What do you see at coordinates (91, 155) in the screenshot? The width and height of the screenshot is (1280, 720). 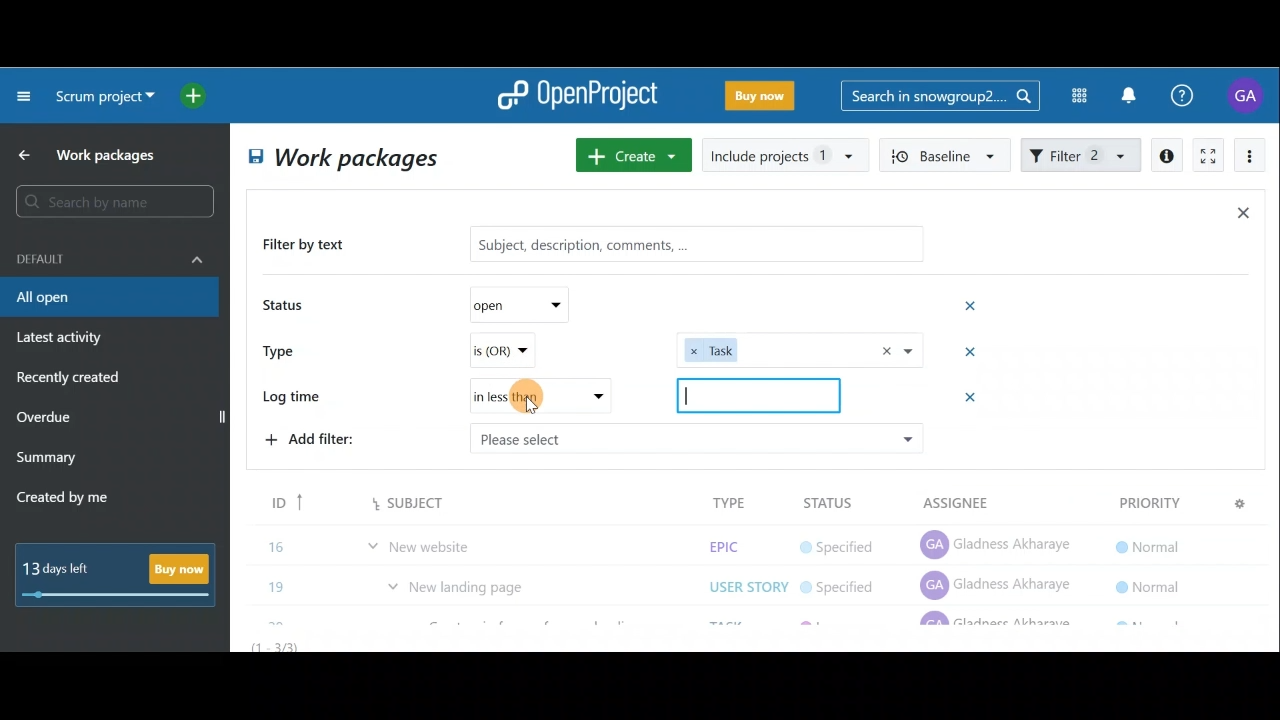 I see `Work packages` at bounding box center [91, 155].